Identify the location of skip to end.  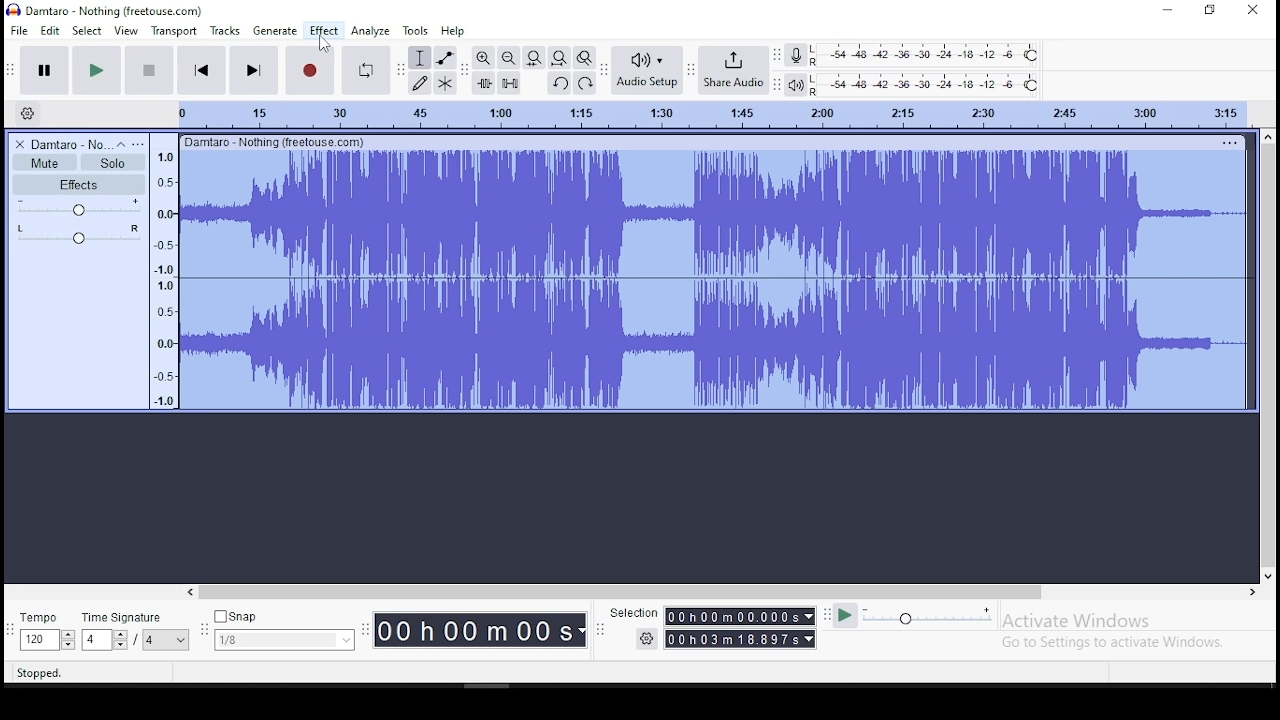
(253, 71).